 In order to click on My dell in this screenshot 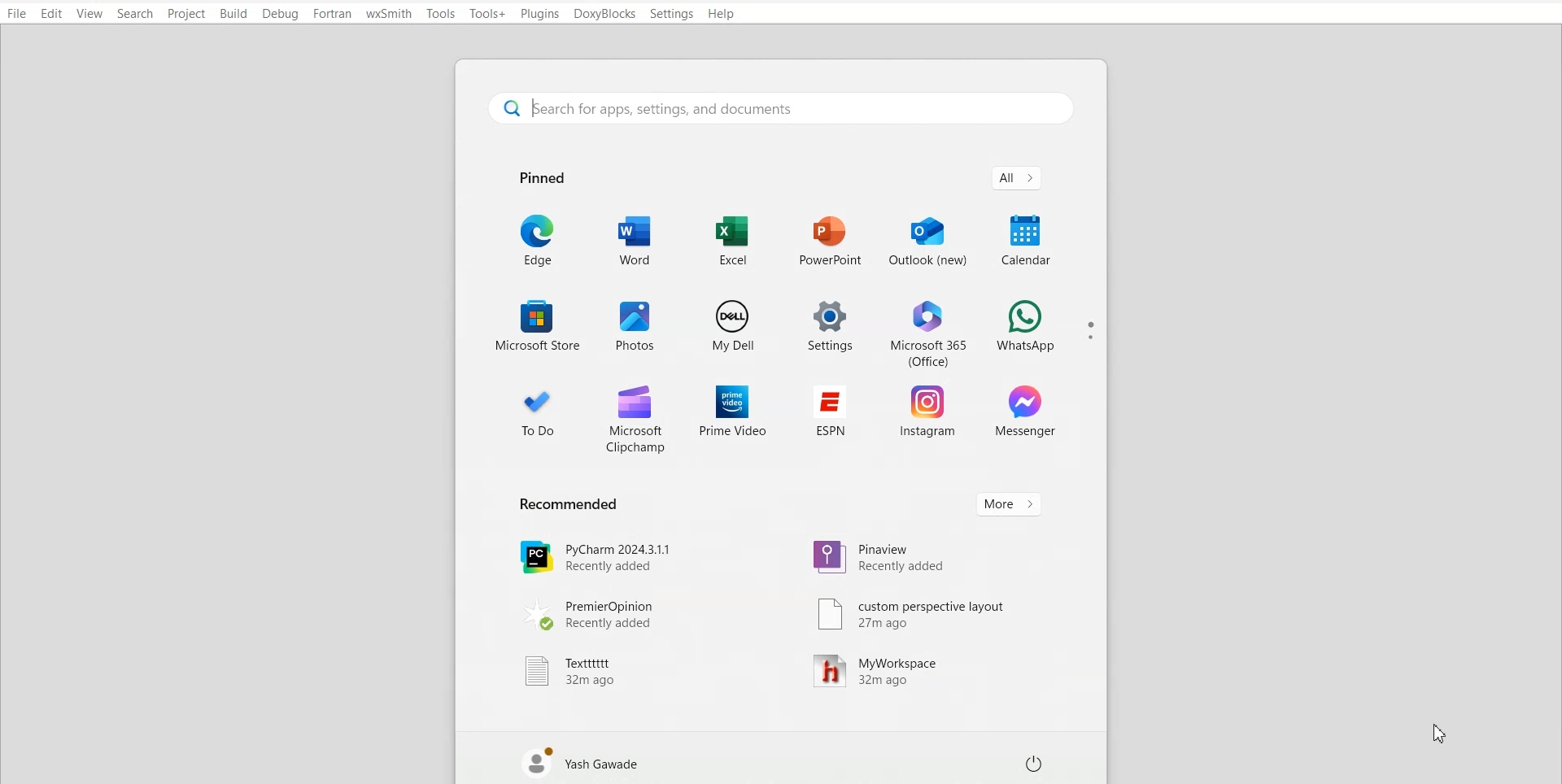, I will do `click(733, 327)`.